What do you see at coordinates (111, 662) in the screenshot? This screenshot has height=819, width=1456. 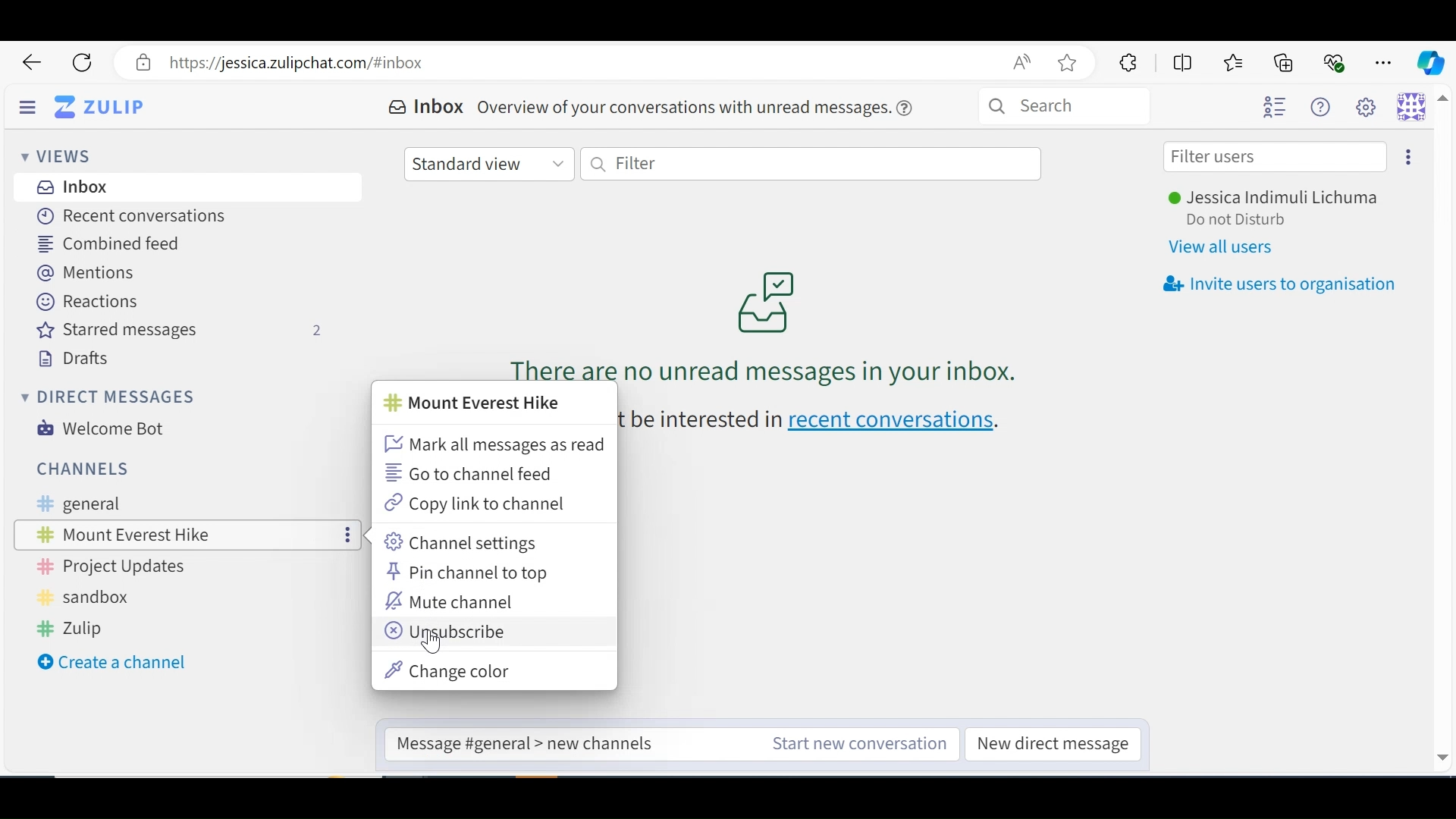 I see `Create a new Channel` at bounding box center [111, 662].